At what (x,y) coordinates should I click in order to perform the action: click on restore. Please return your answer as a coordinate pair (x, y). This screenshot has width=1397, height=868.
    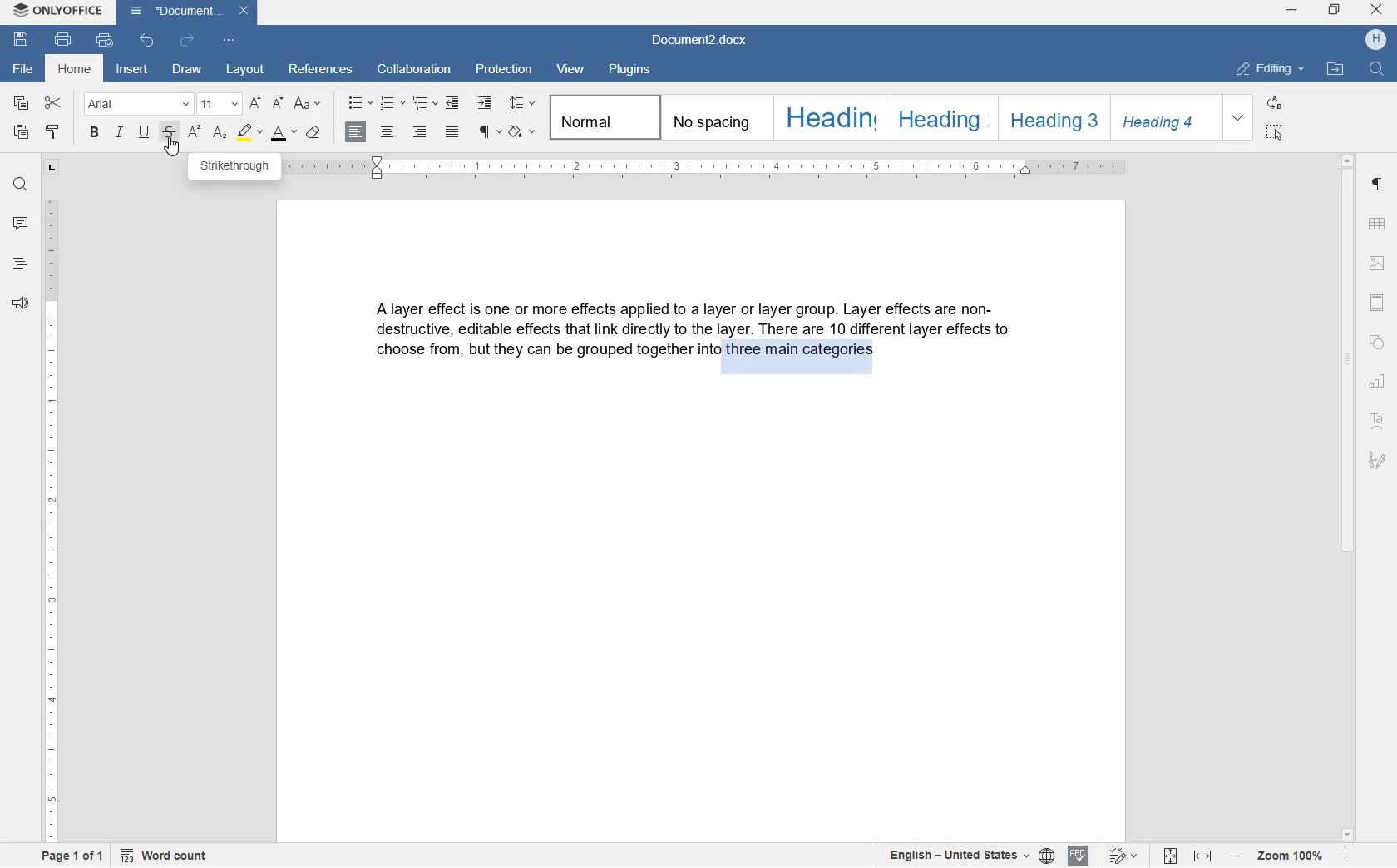
    Looking at the image, I should click on (1333, 11).